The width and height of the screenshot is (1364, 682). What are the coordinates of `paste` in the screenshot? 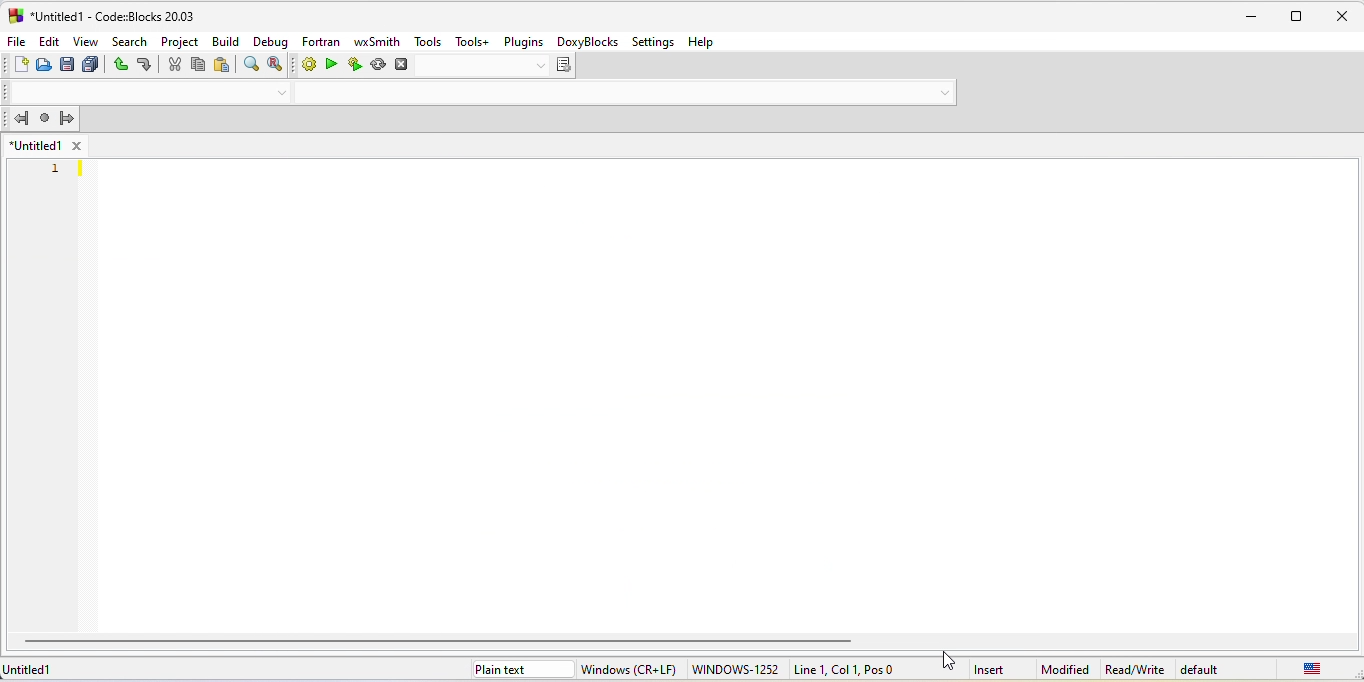 It's located at (223, 65).